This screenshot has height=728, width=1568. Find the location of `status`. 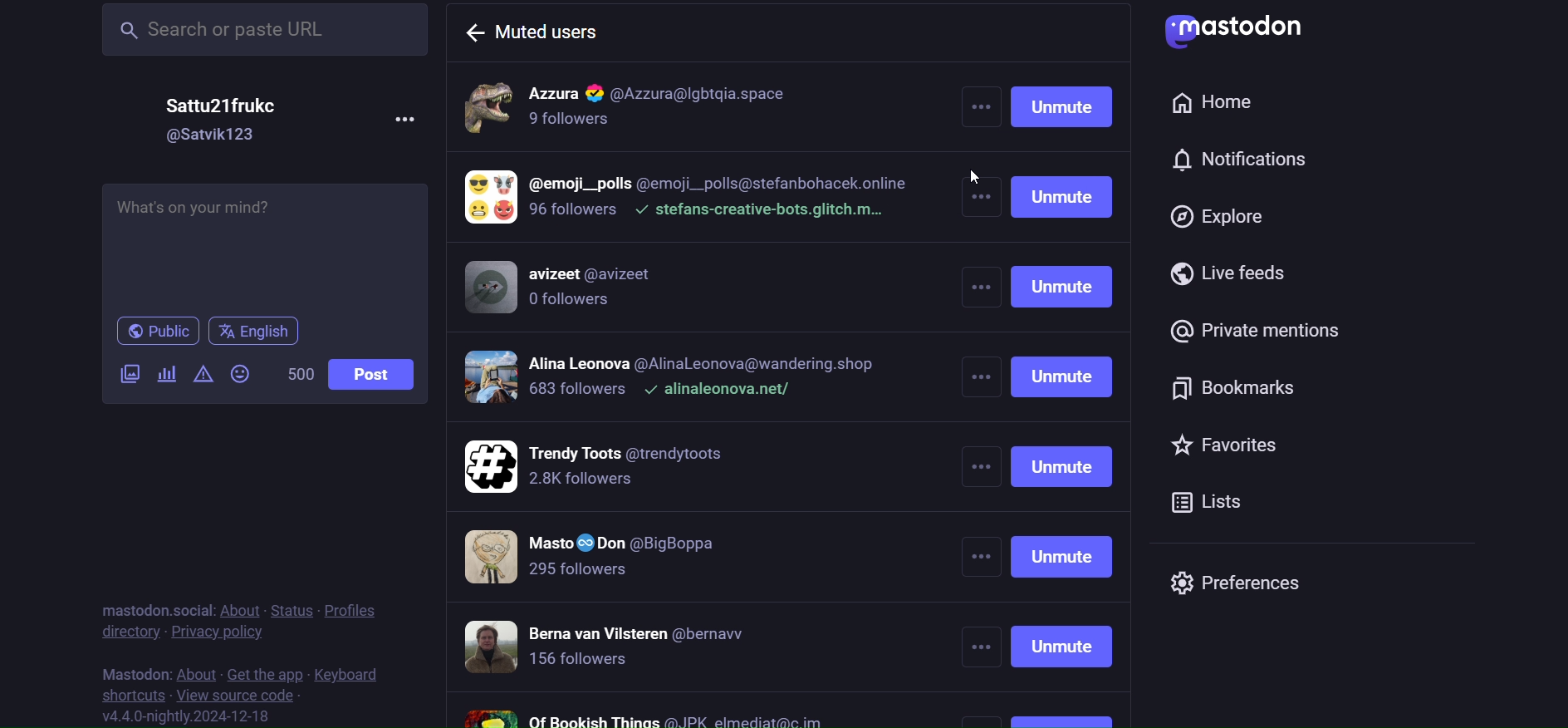

status is located at coordinates (290, 610).